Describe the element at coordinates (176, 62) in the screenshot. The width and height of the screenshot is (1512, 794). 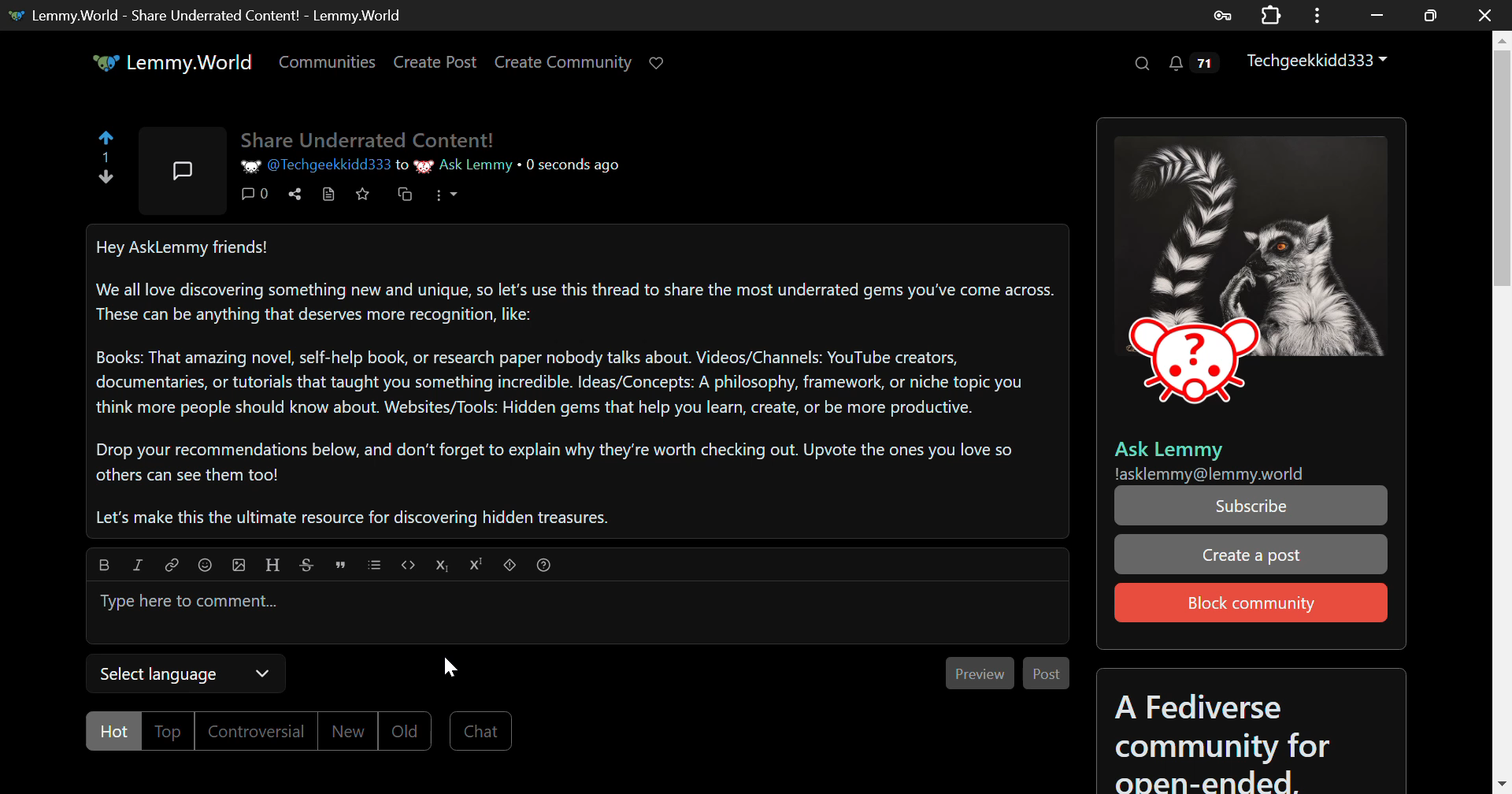
I see `Homepage Hyperlink` at that location.